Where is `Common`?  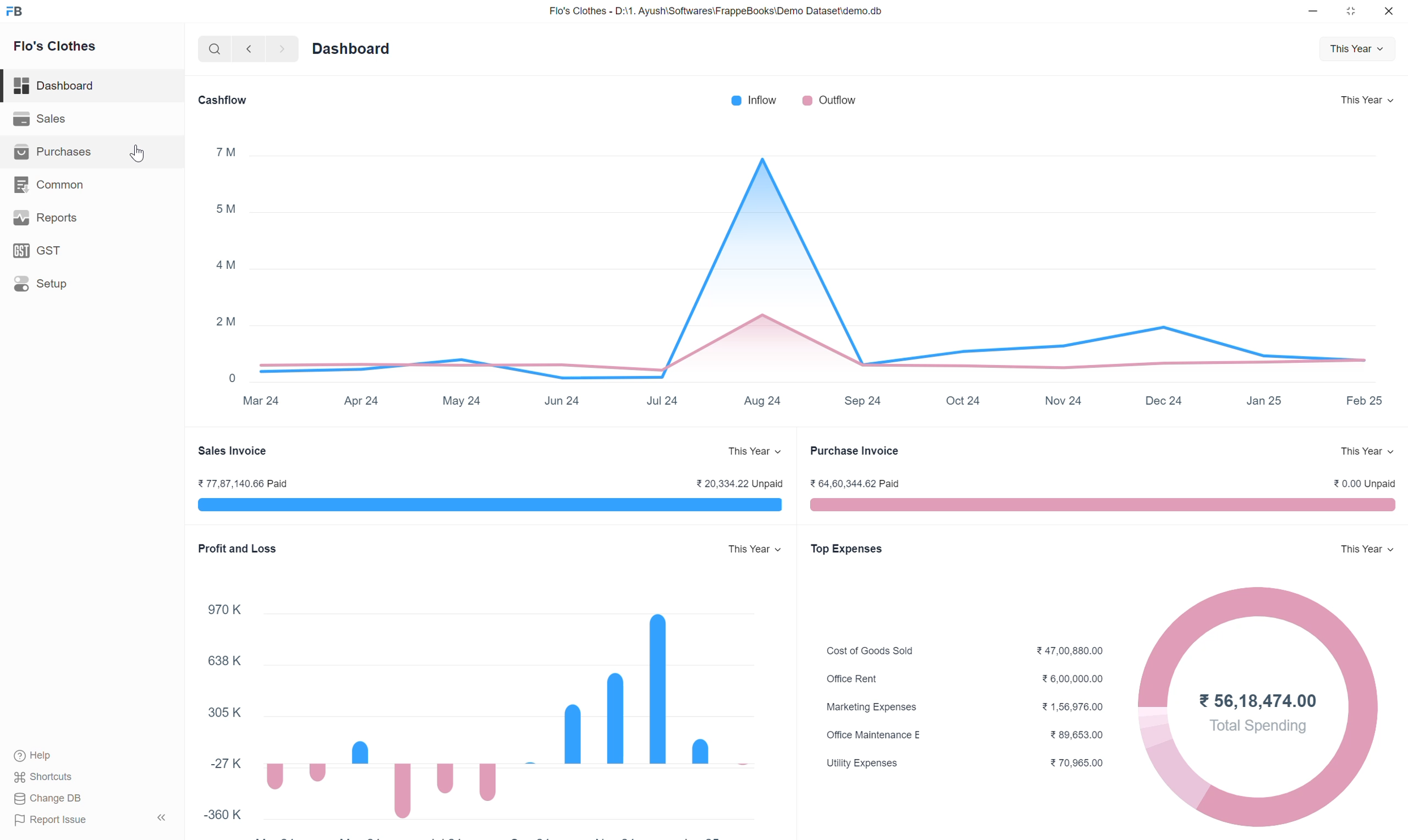 Common is located at coordinates (46, 183).